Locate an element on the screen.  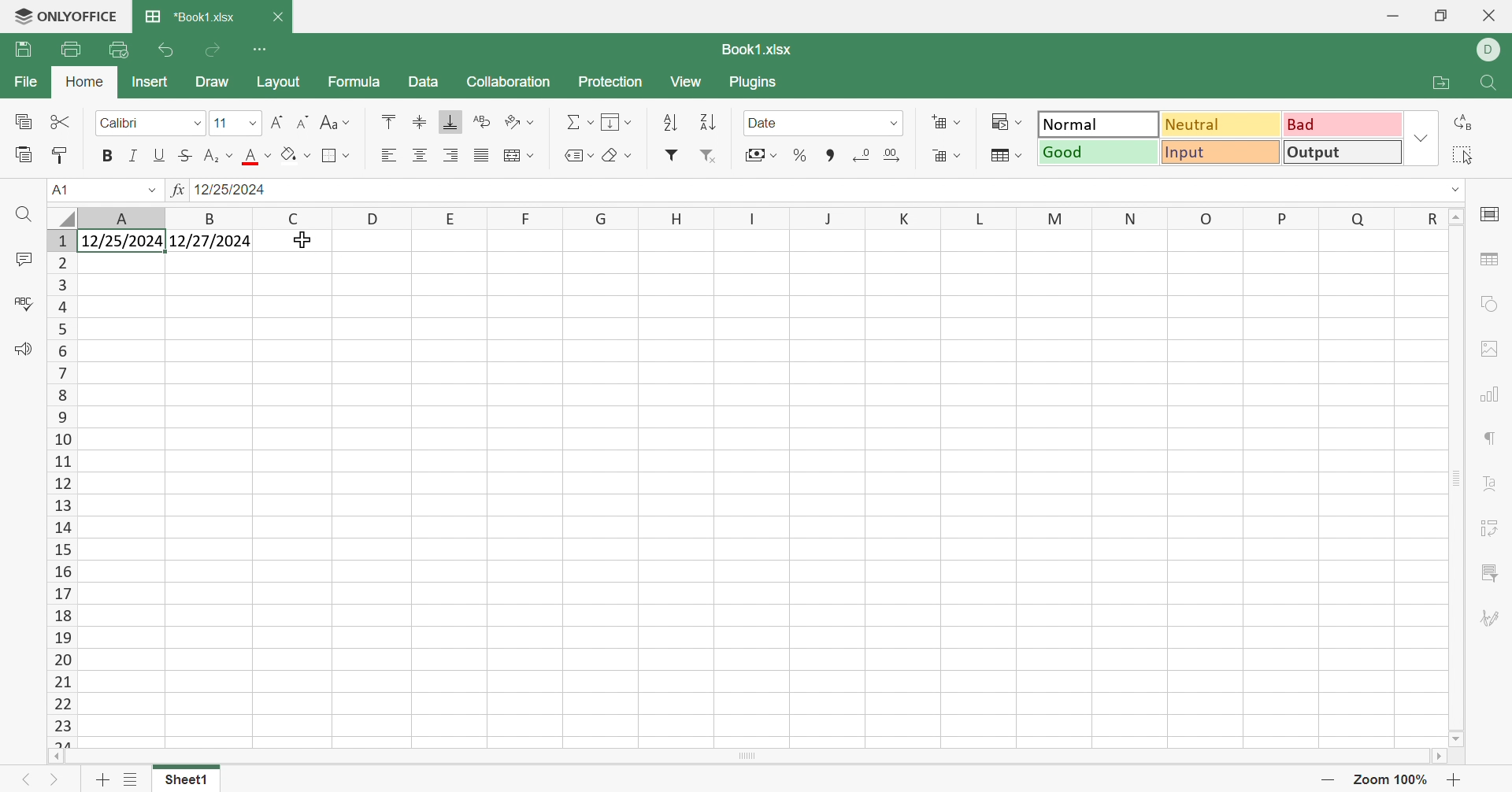
Summation is located at coordinates (578, 120).